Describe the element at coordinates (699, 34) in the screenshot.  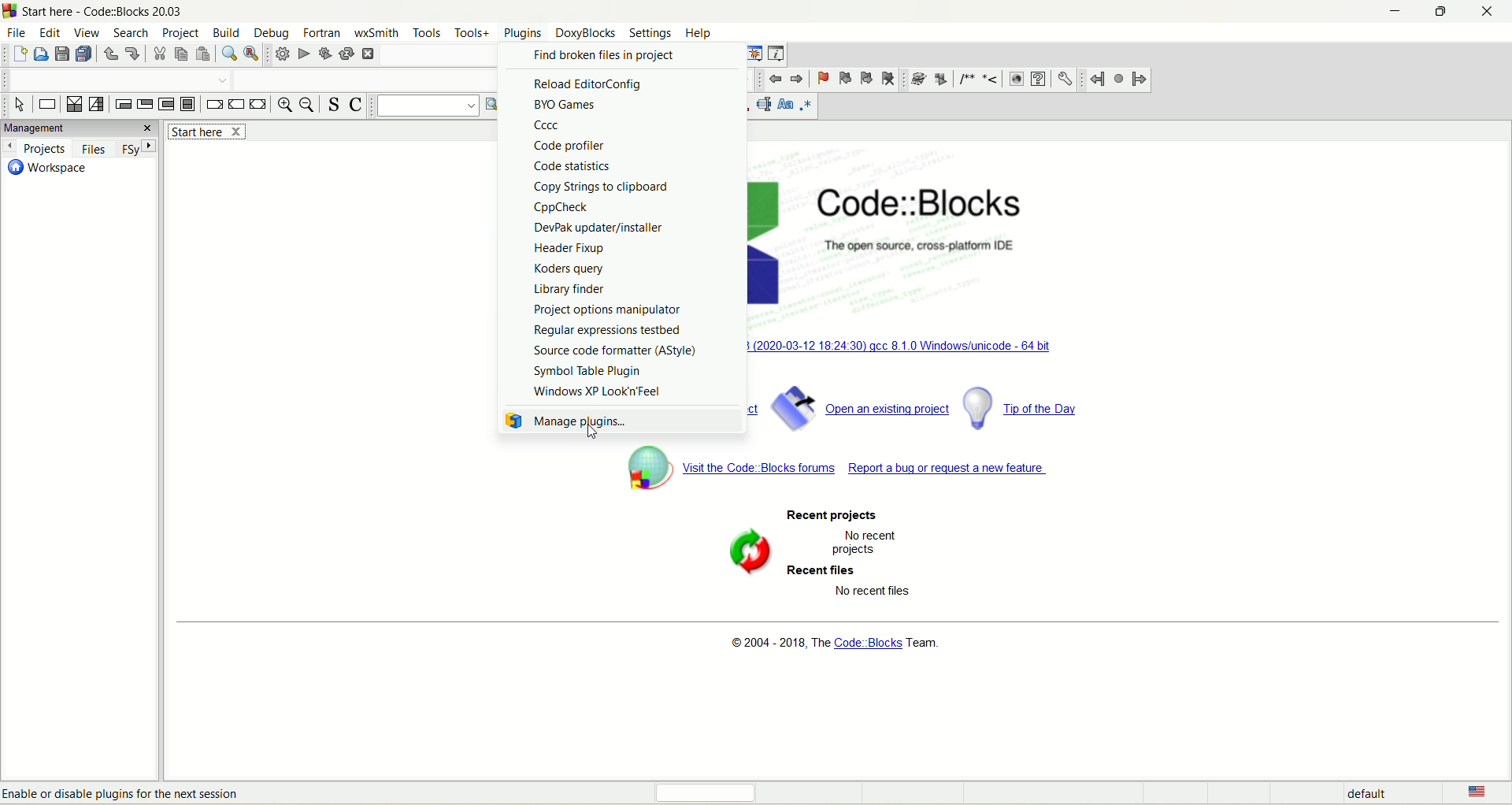
I see `help` at that location.